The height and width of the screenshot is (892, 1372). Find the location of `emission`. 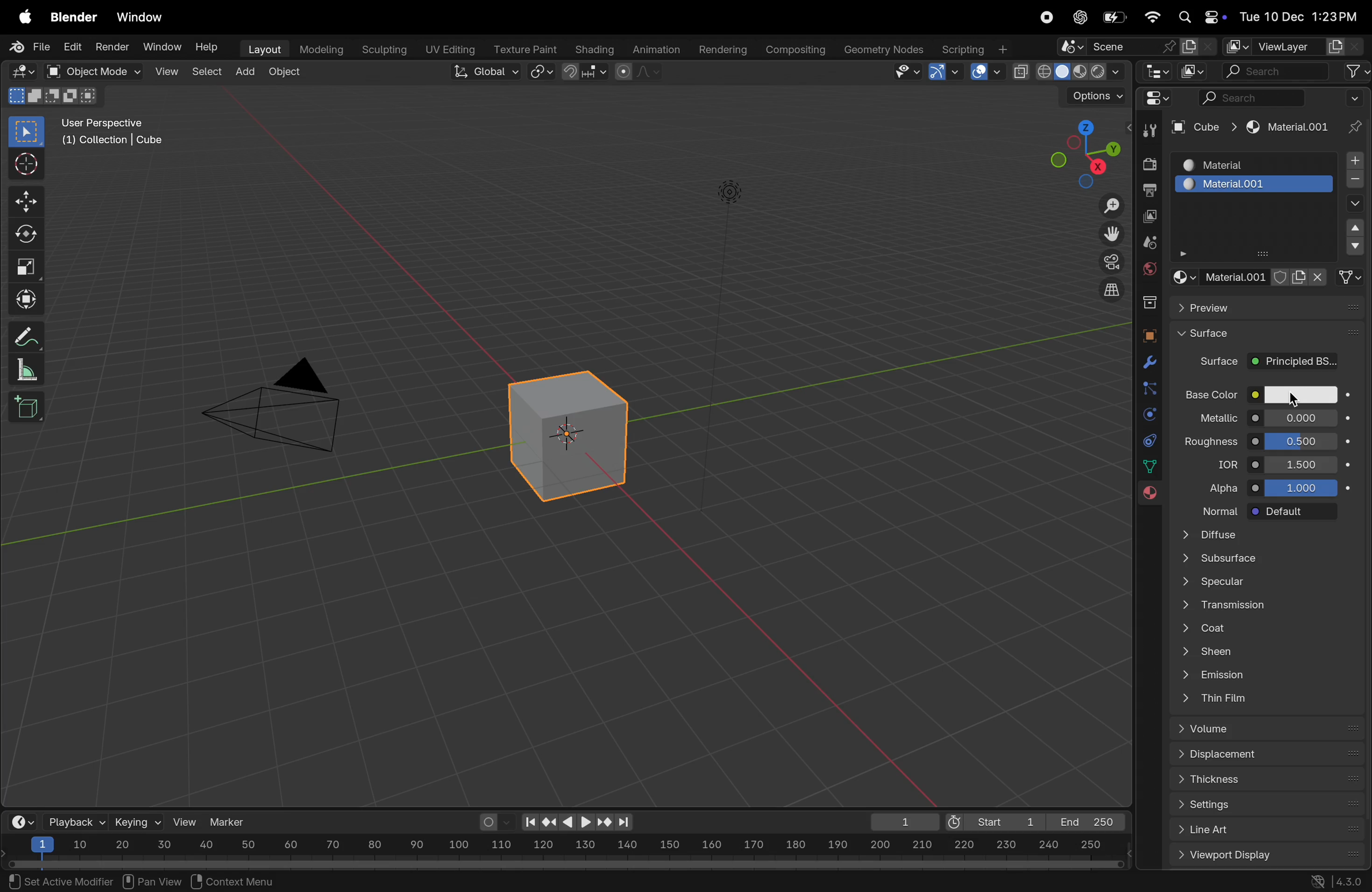

emission is located at coordinates (1267, 674).